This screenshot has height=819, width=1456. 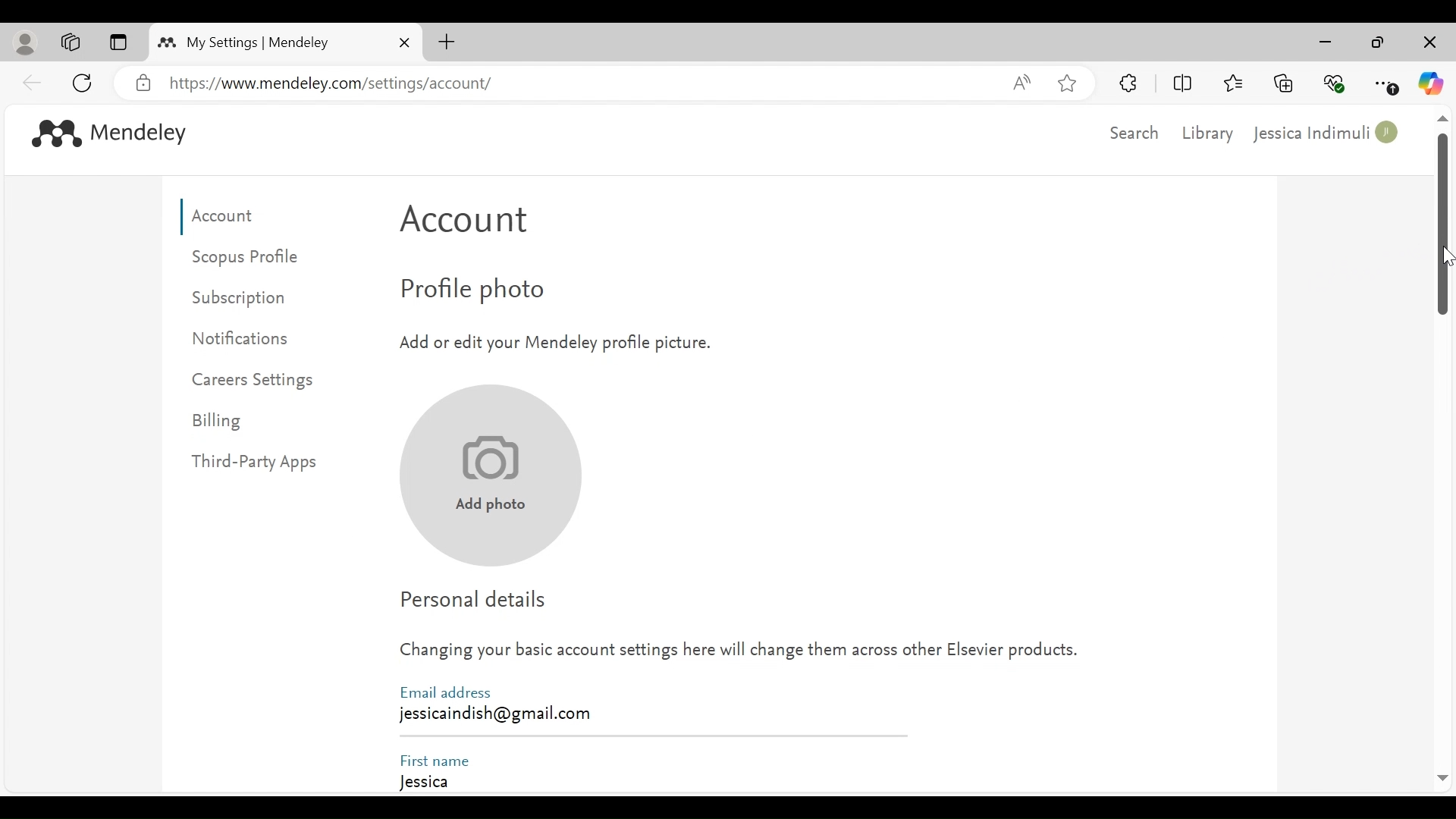 What do you see at coordinates (479, 599) in the screenshot?
I see `Personal Details` at bounding box center [479, 599].